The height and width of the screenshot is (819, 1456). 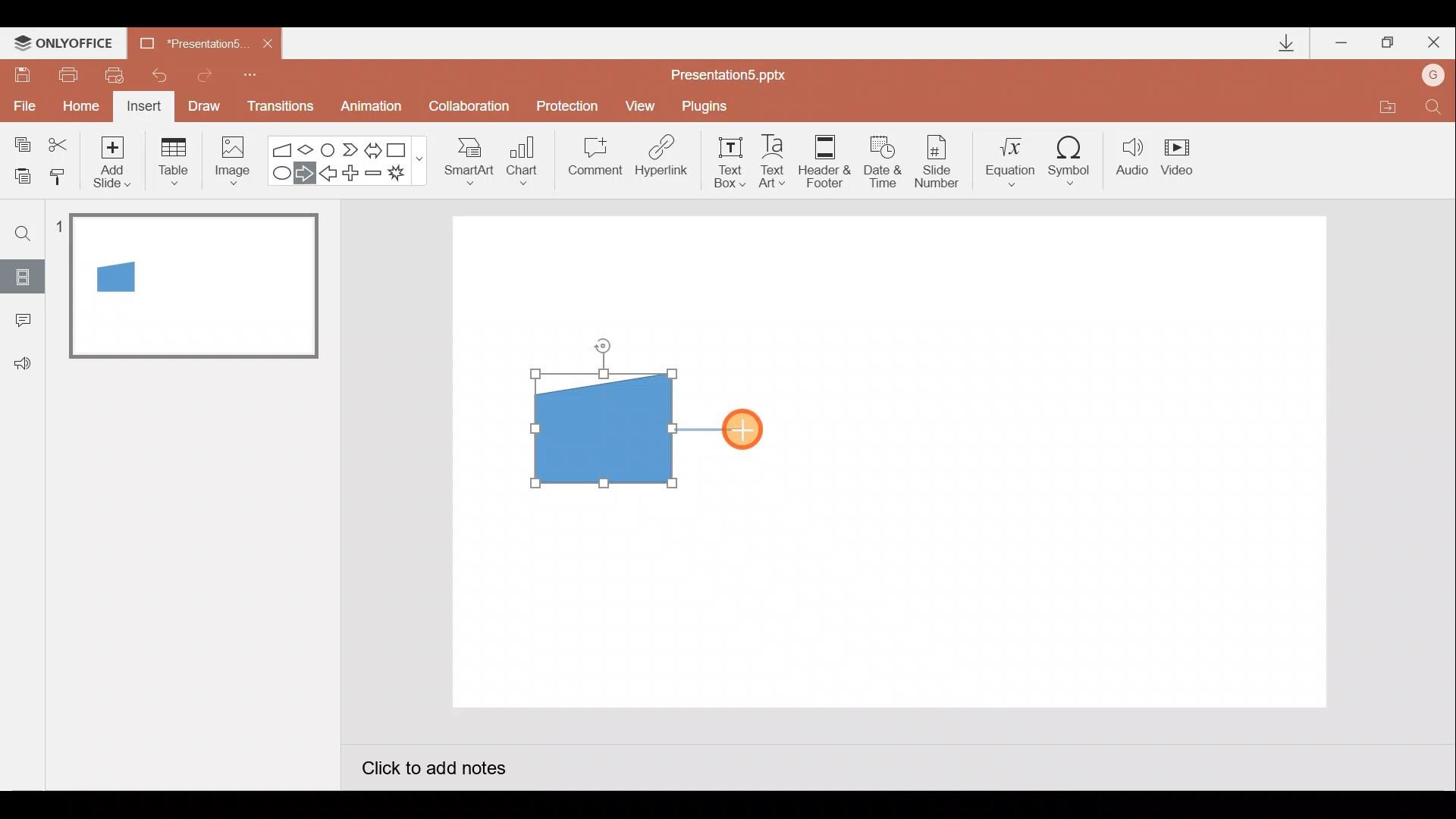 I want to click on Collaboration, so click(x=472, y=108).